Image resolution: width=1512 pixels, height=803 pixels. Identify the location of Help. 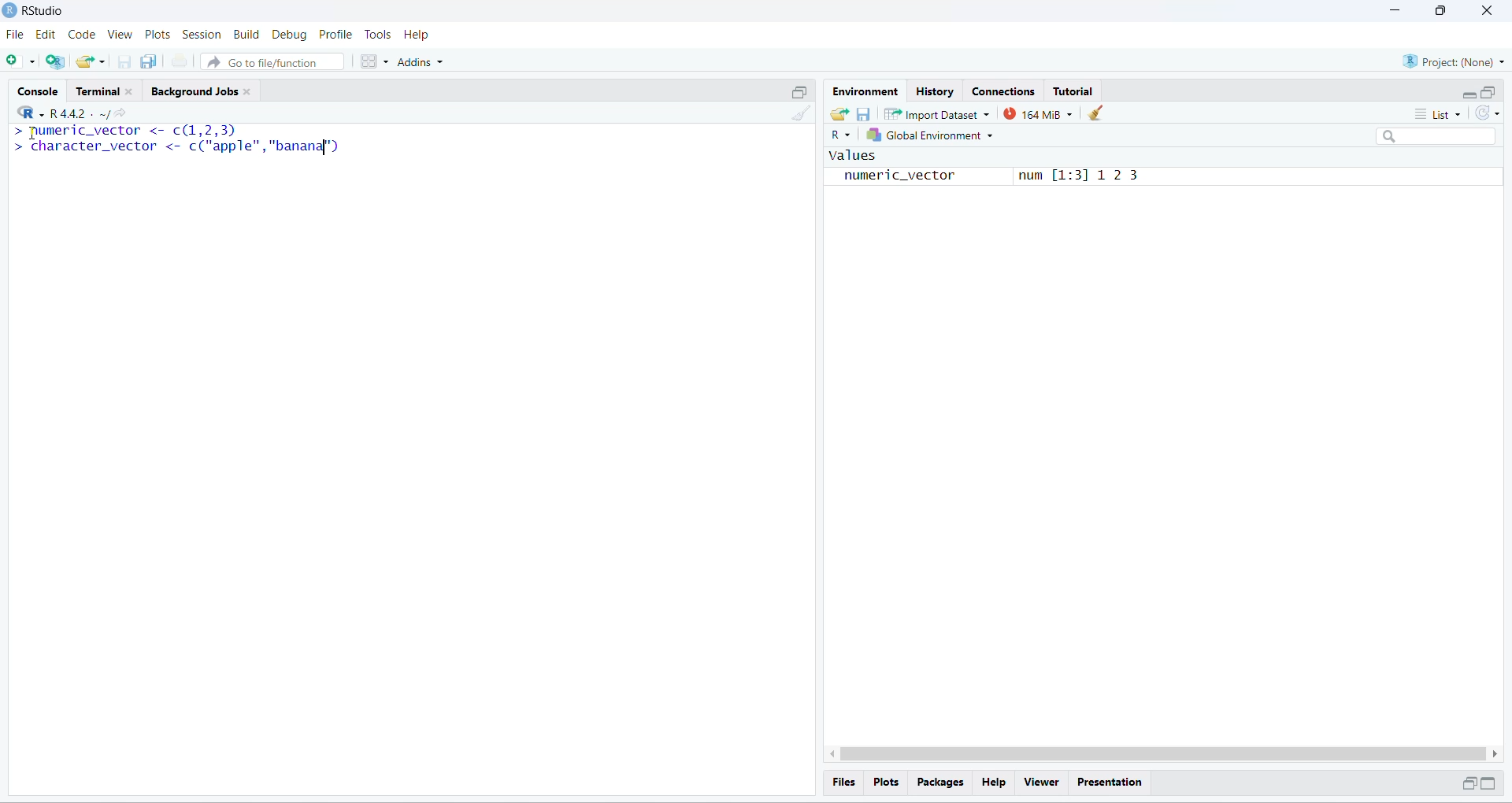
(418, 35).